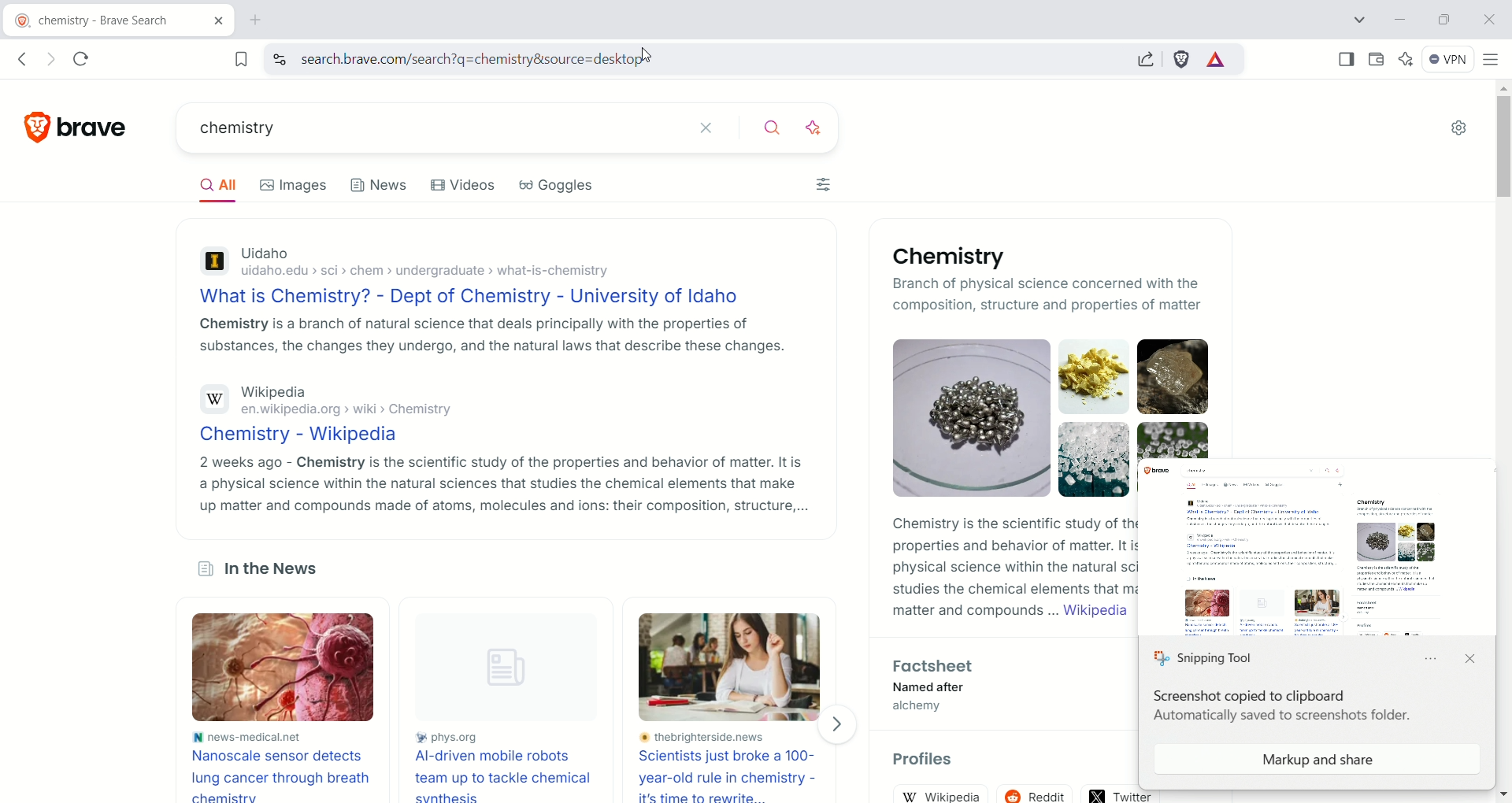  Describe the element at coordinates (1039, 790) in the screenshot. I see `reddit` at that location.